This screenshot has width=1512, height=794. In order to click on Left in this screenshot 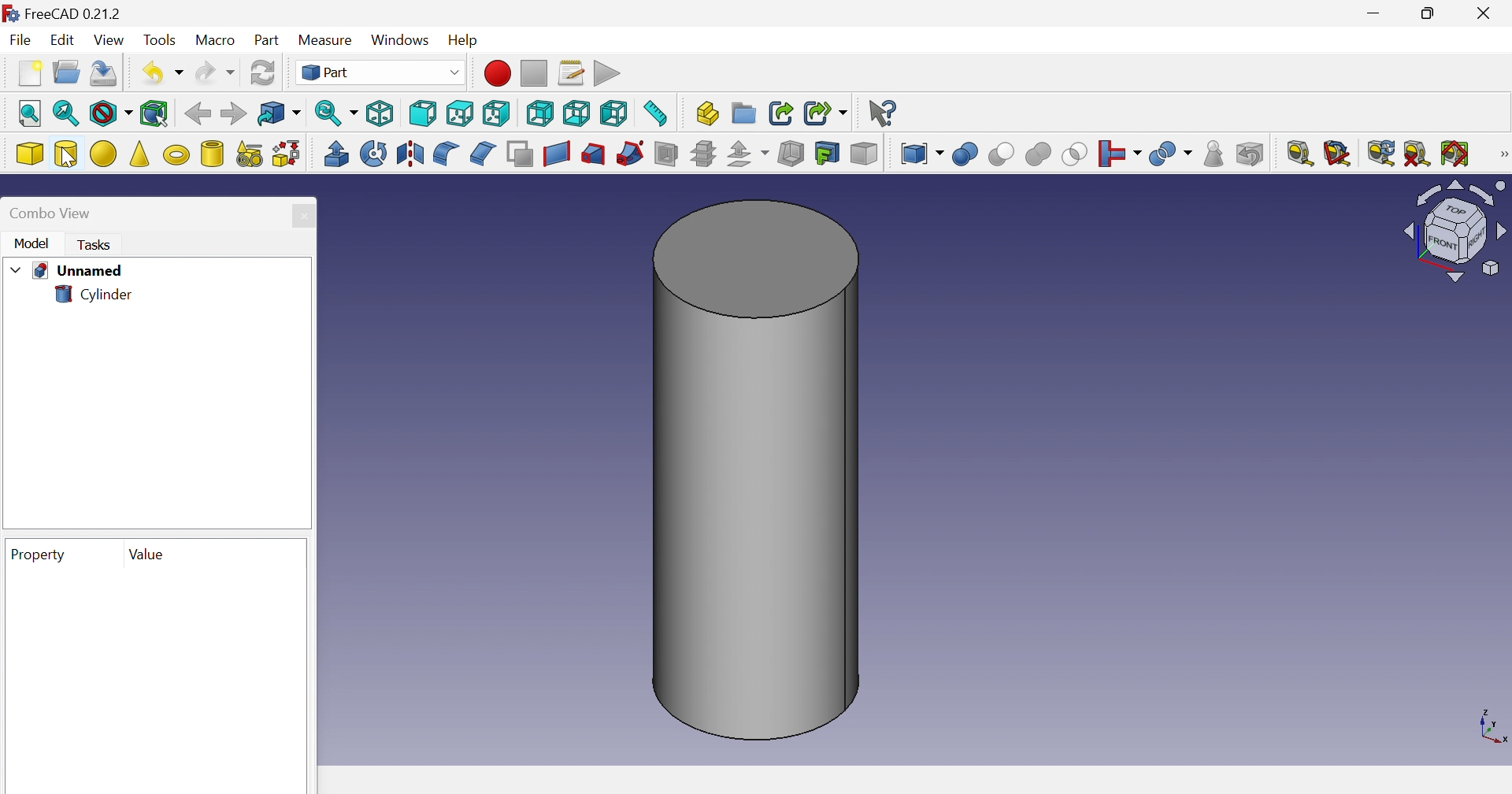, I will do `click(613, 114)`.